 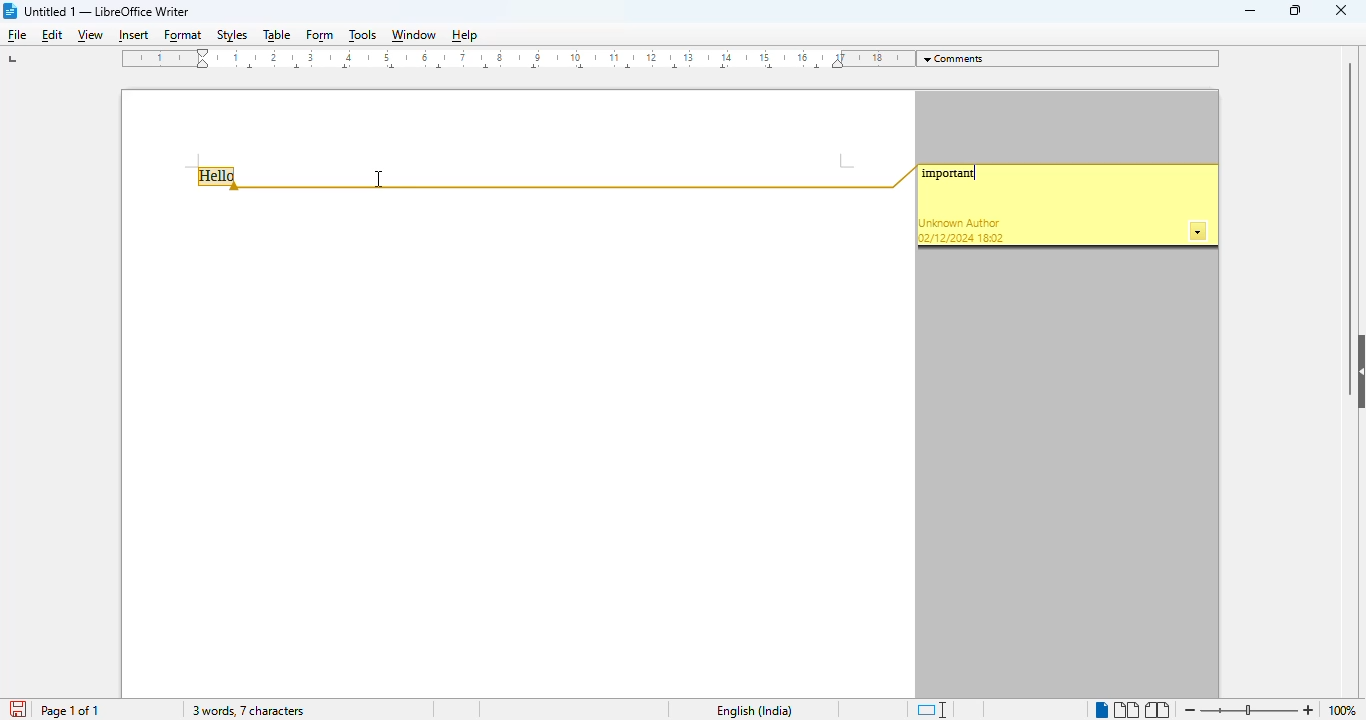 I want to click on text language, so click(x=755, y=711).